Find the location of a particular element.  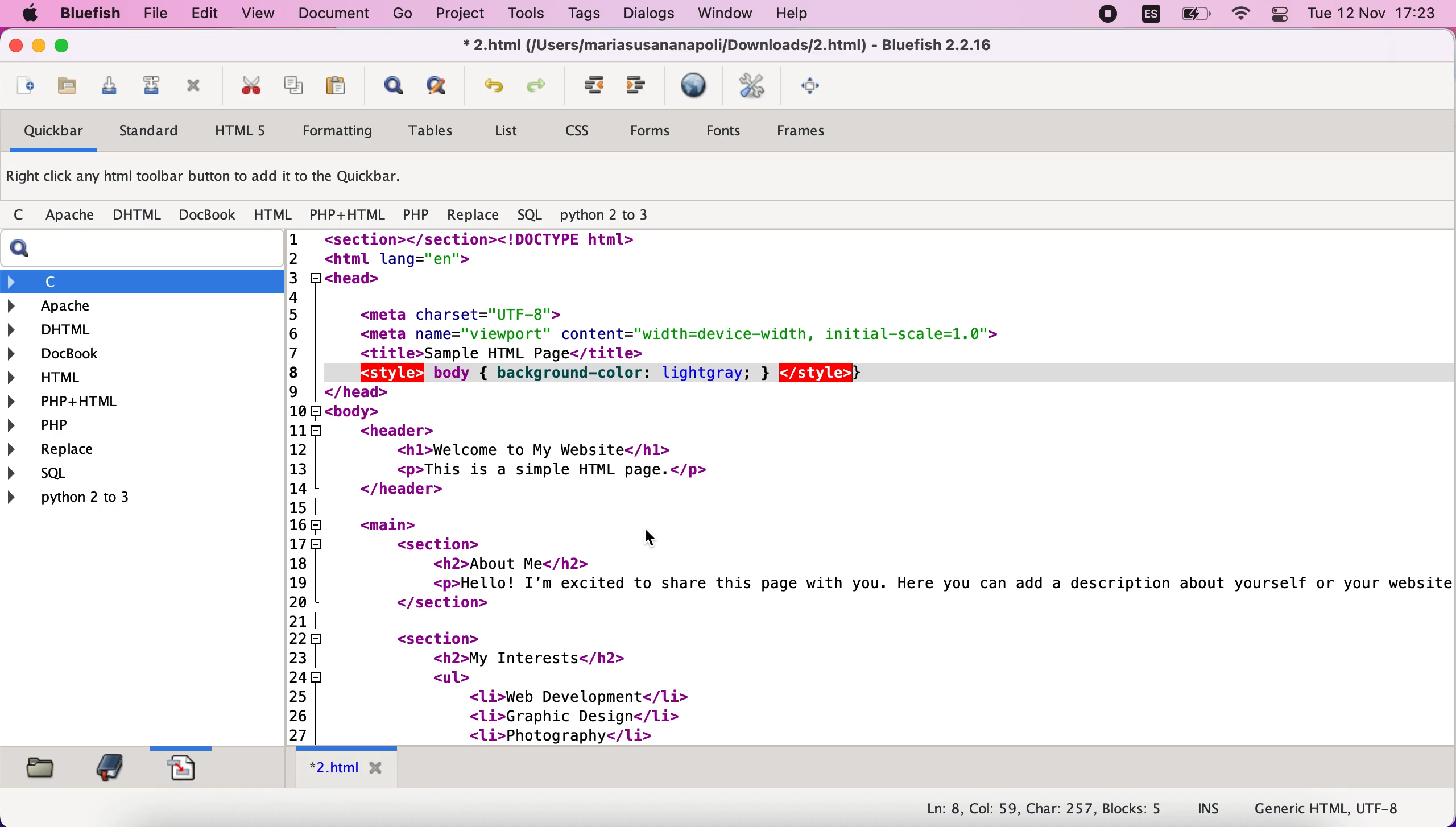

unindent is located at coordinates (642, 86).